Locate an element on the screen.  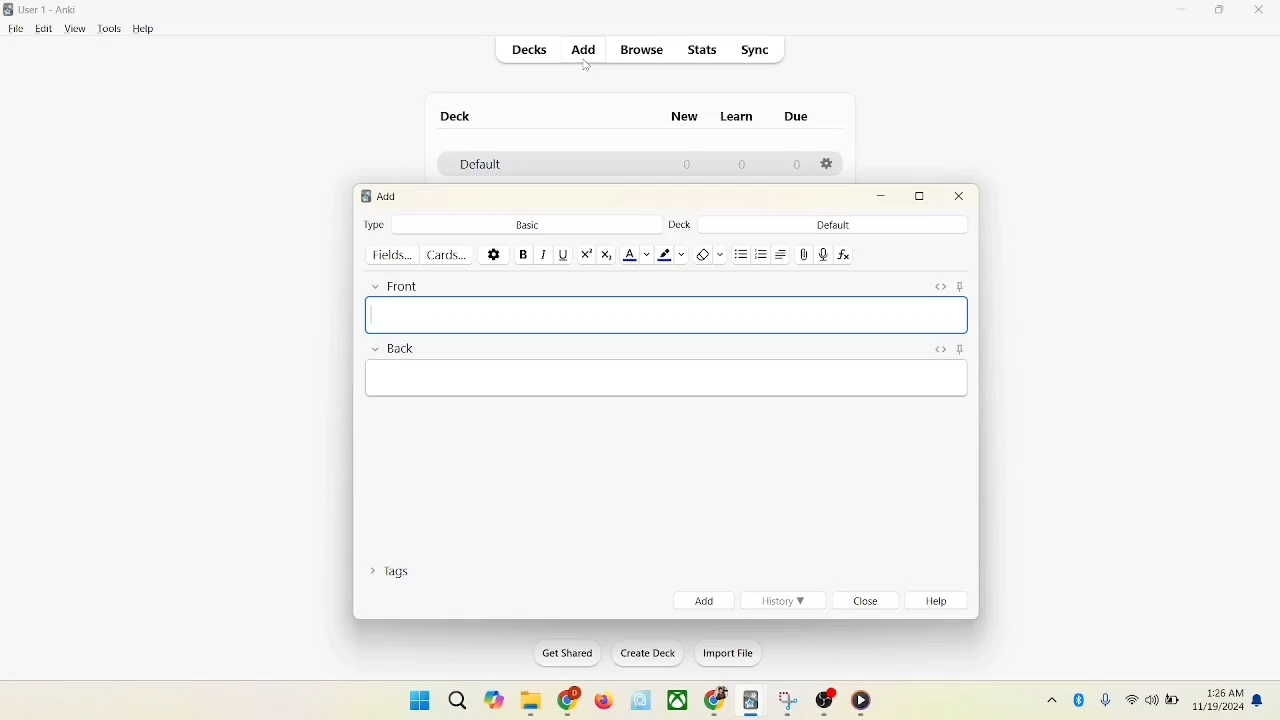
text color is located at coordinates (636, 255).